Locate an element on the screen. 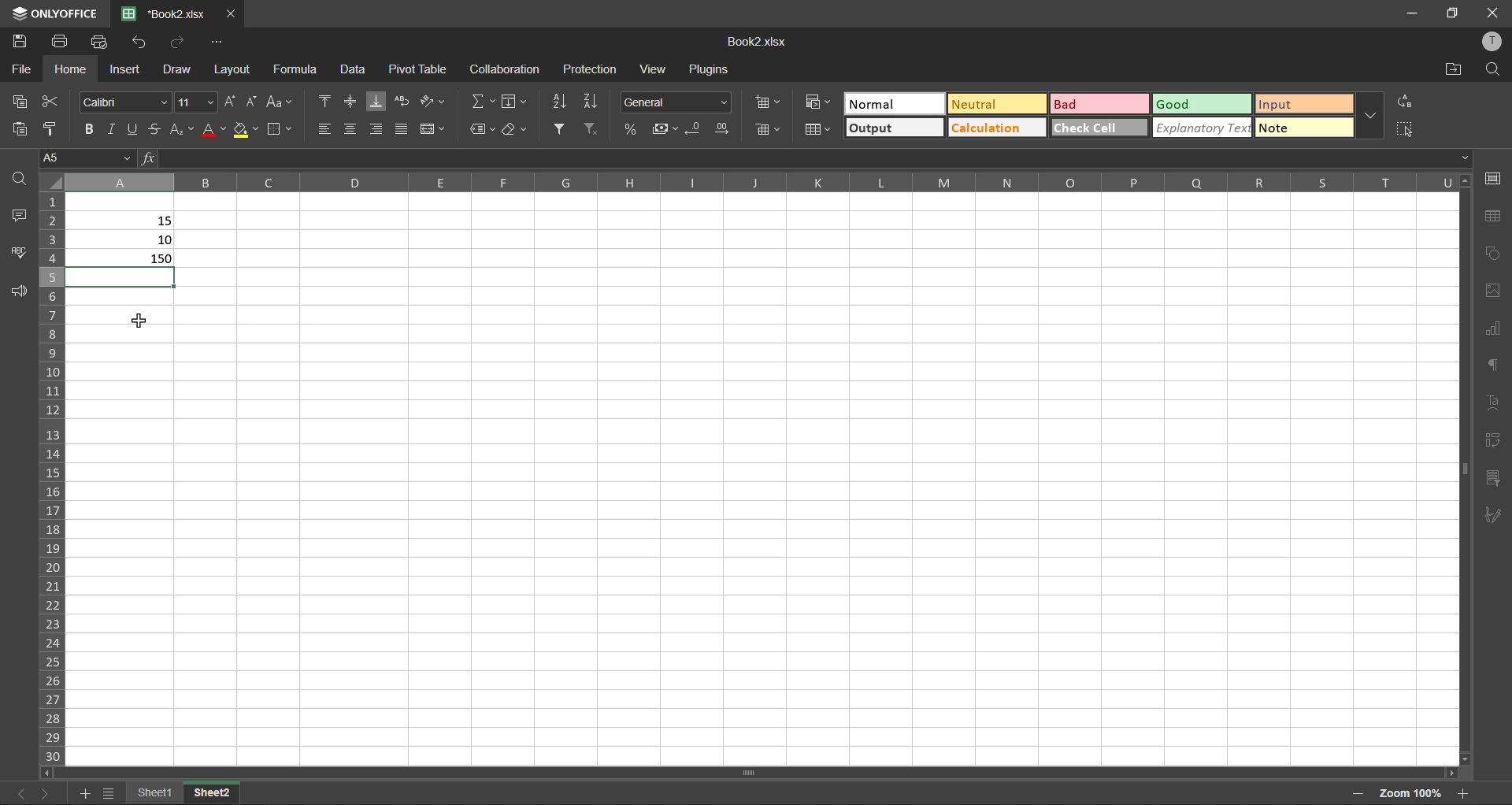  paste is located at coordinates (17, 128).